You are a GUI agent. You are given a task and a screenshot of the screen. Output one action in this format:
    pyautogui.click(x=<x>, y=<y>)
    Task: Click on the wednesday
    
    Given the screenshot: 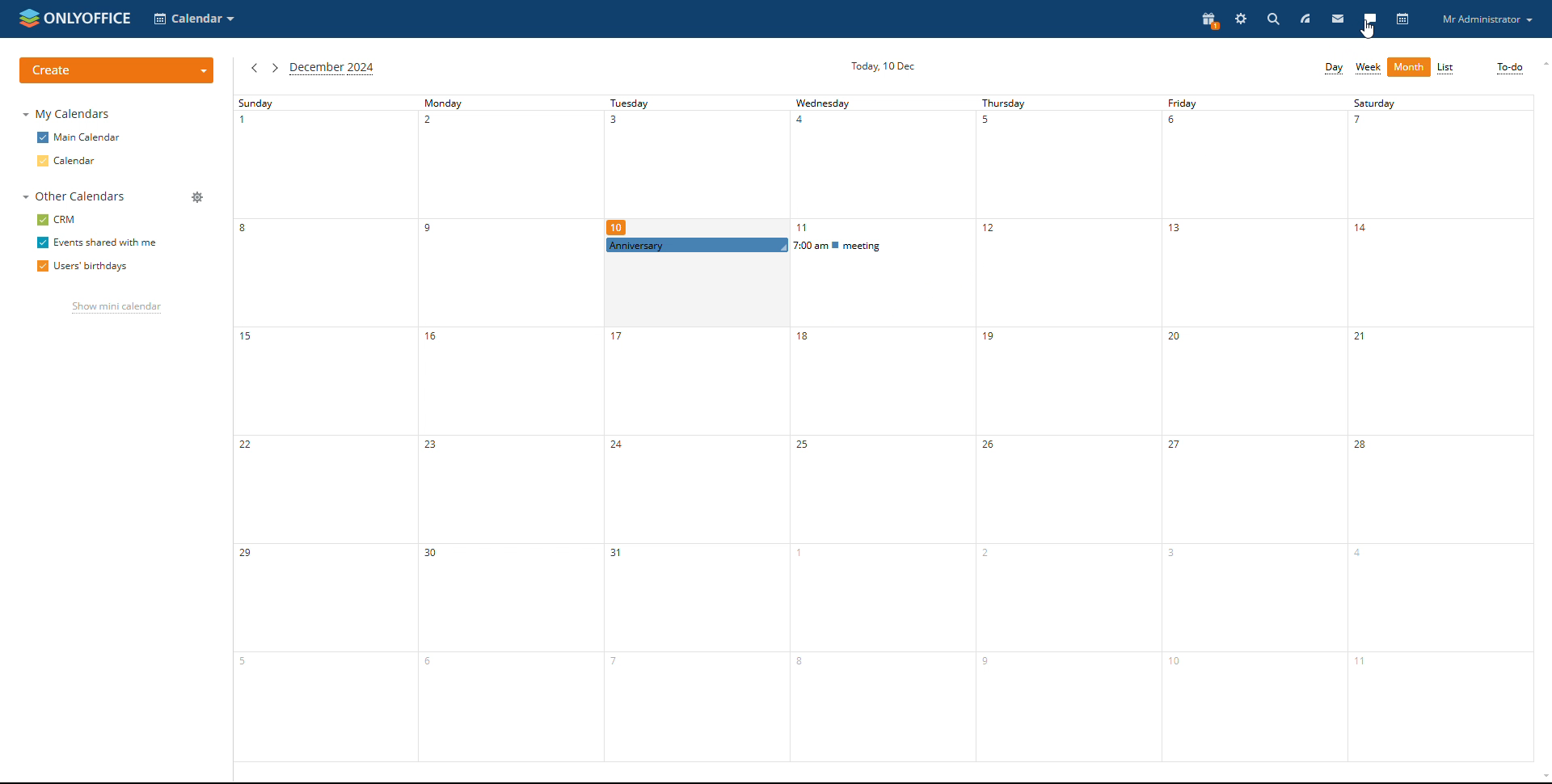 What is the action you would take?
    pyautogui.click(x=882, y=509)
    